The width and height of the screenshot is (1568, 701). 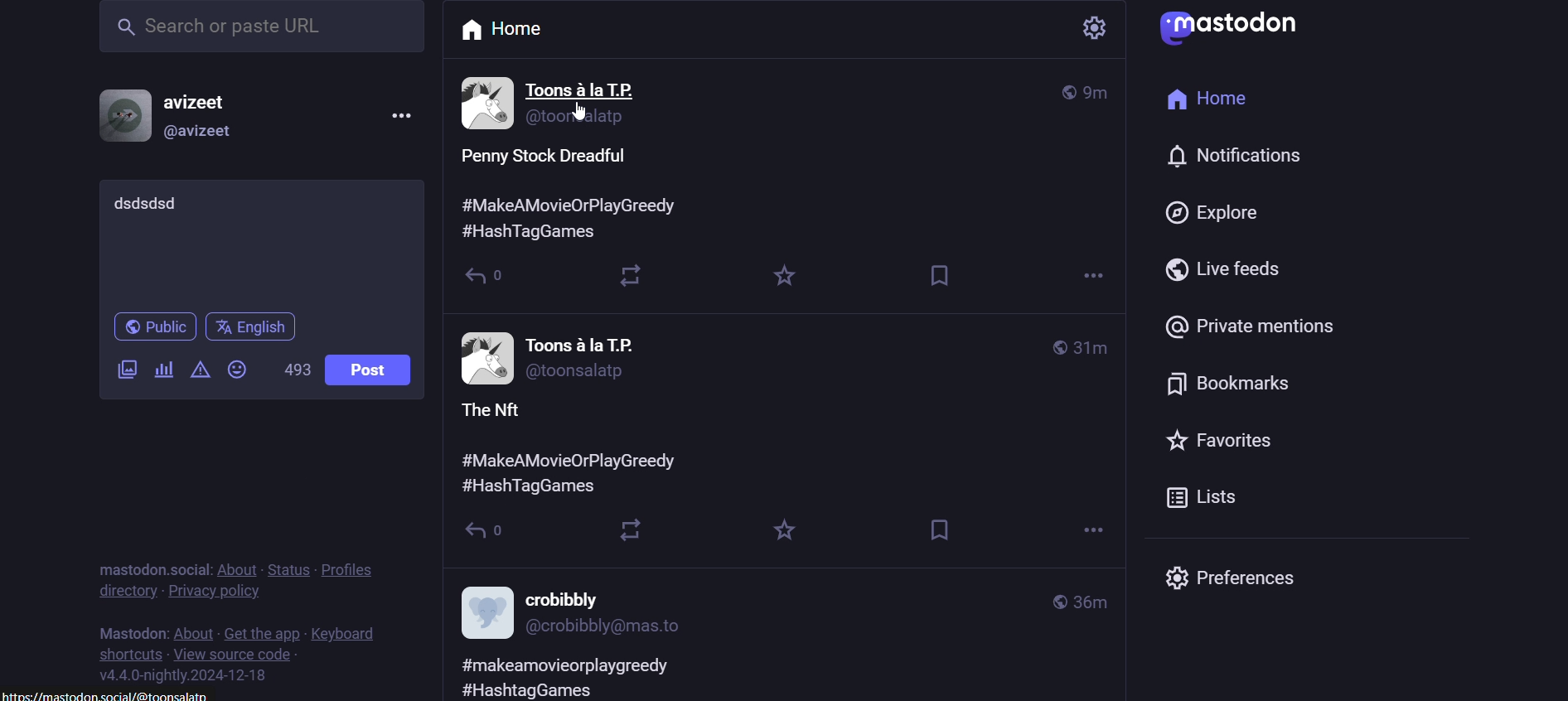 What do you see at coordinates (1250, 335) in the screenshot?
I see `private mentions` at bounding box center [1250, 335].